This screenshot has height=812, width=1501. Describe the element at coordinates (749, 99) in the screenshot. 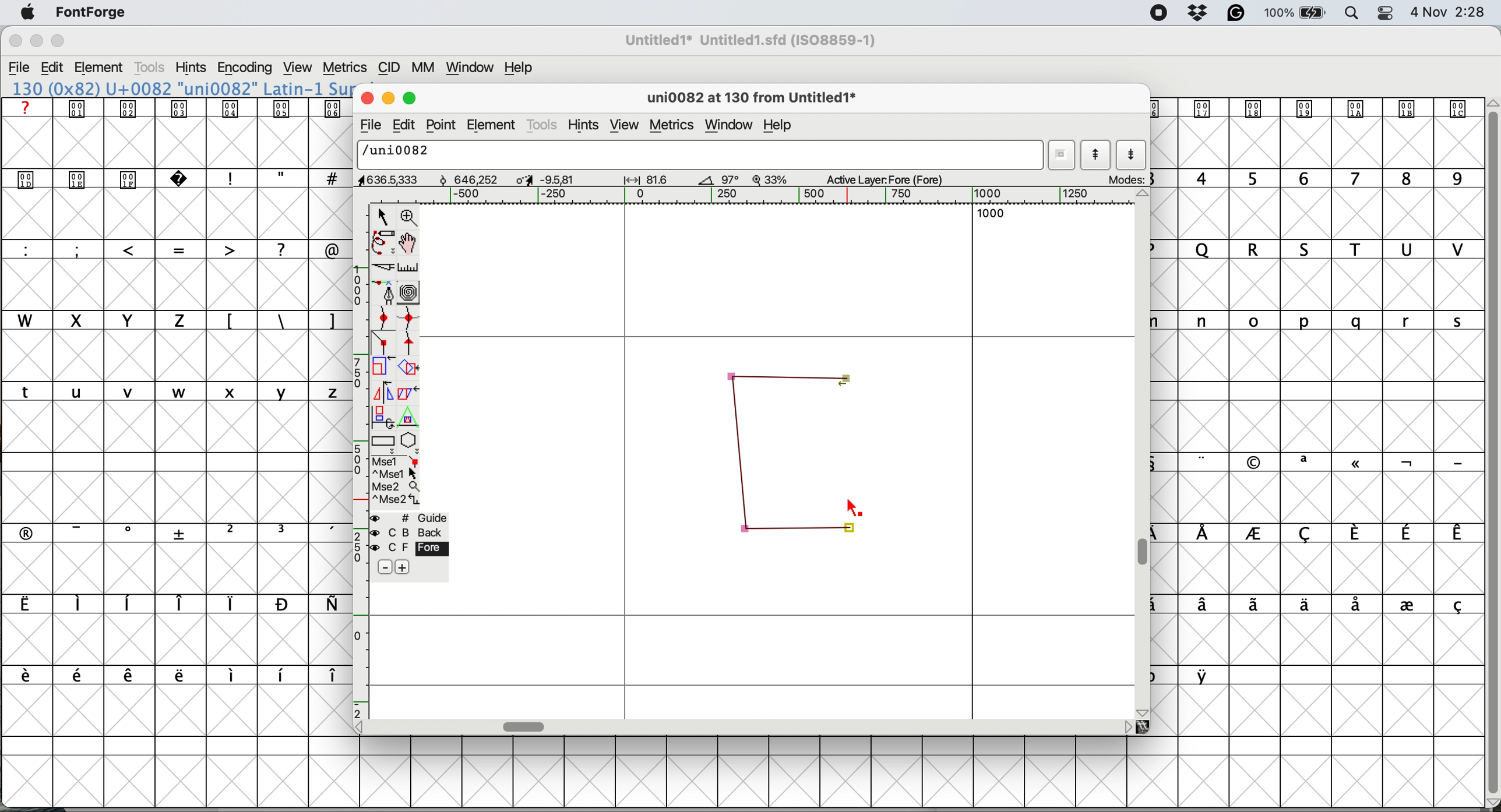

I see `glyph name` at that location.